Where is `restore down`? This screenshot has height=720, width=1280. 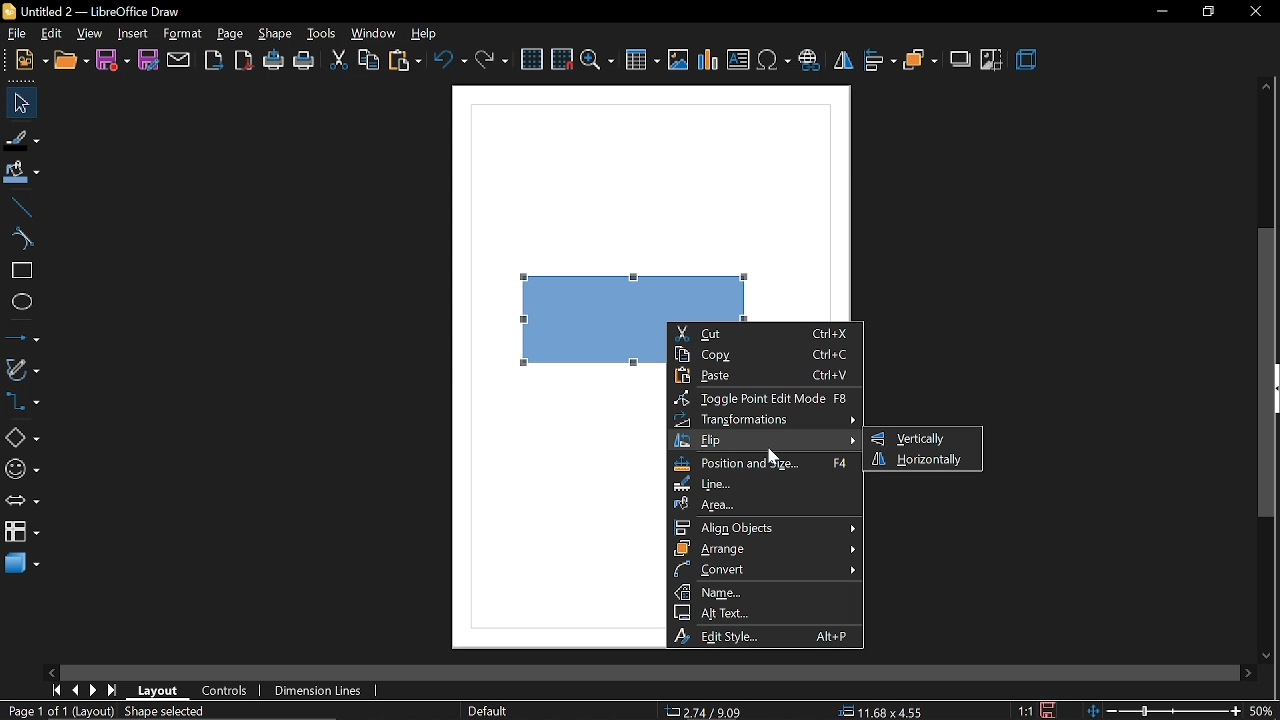
restore down is located at coordinates (1203, 12).